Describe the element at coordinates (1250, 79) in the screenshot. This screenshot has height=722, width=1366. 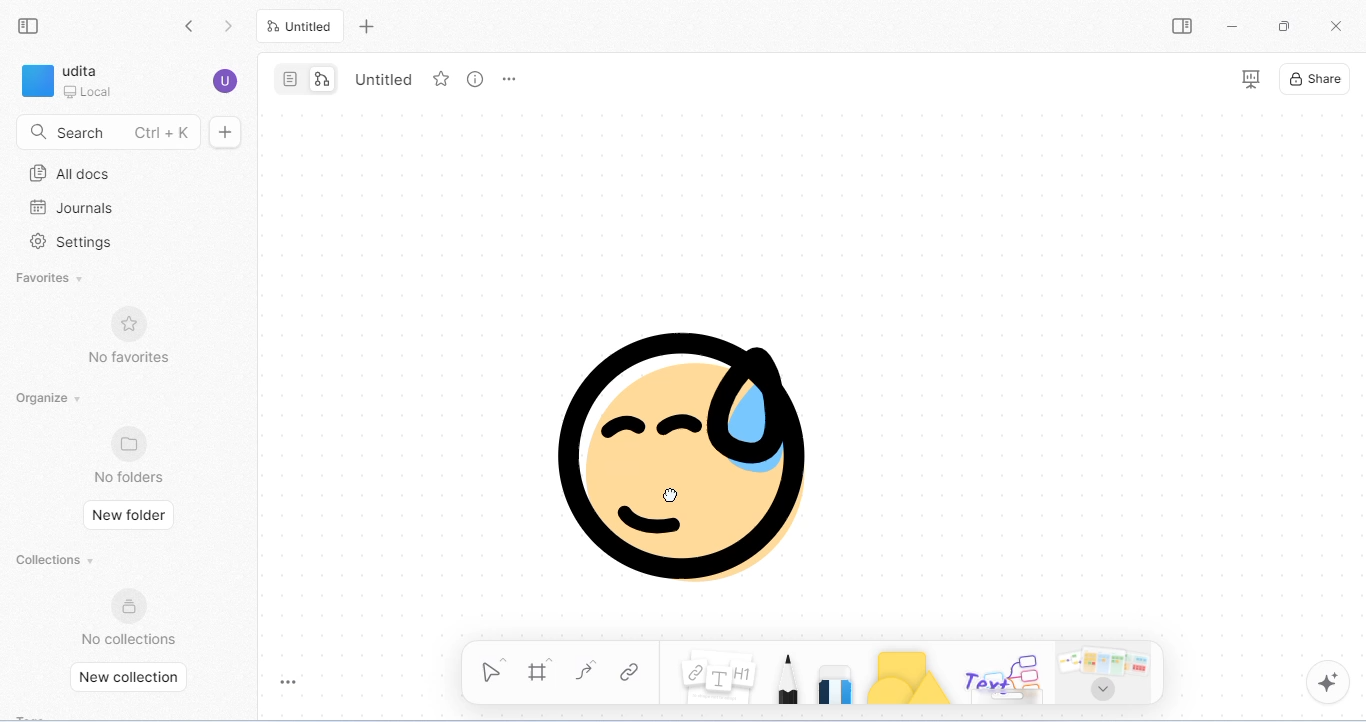
I see `presentation` at that location.